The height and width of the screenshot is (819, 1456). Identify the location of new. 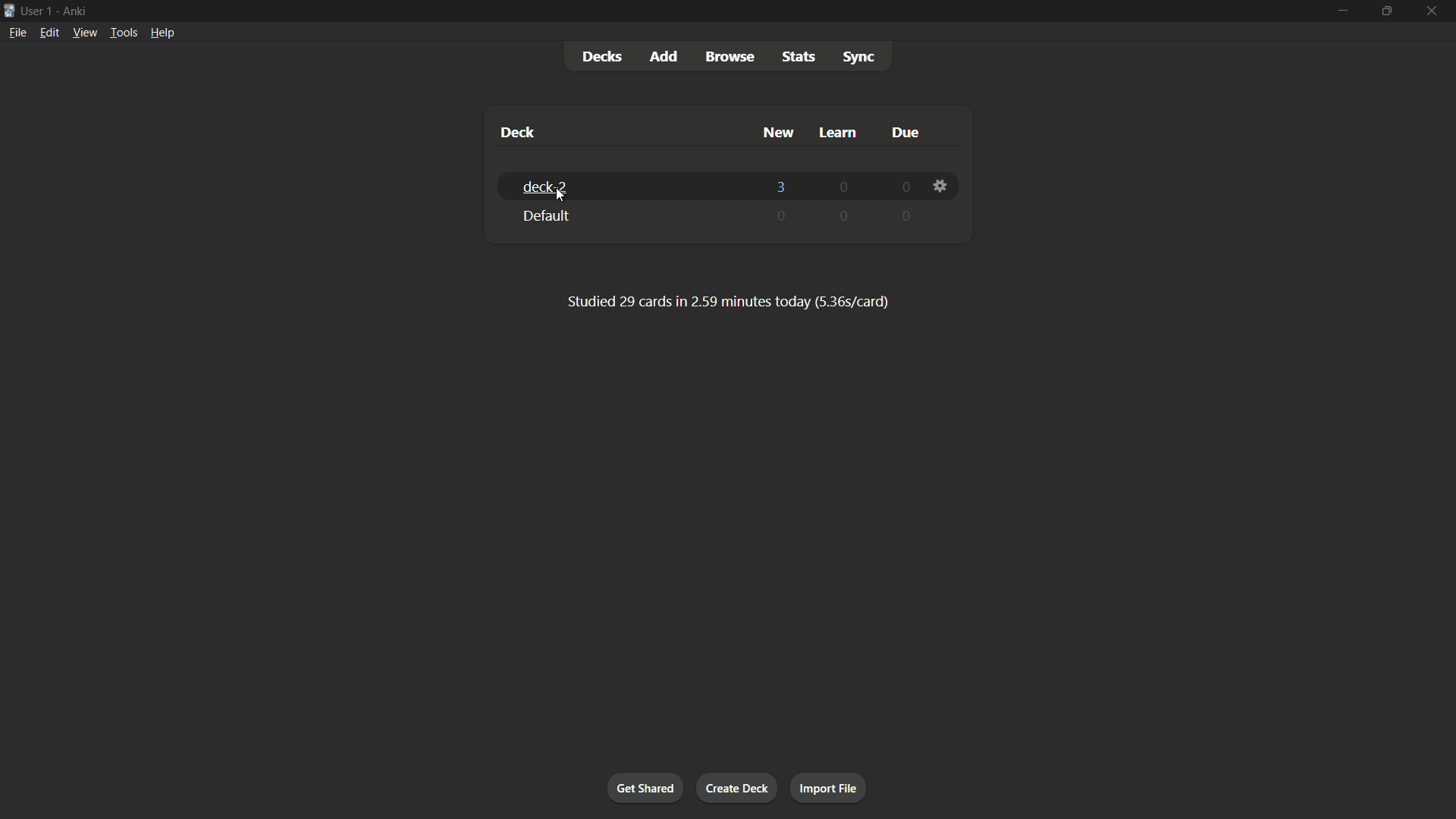
(777, 133).